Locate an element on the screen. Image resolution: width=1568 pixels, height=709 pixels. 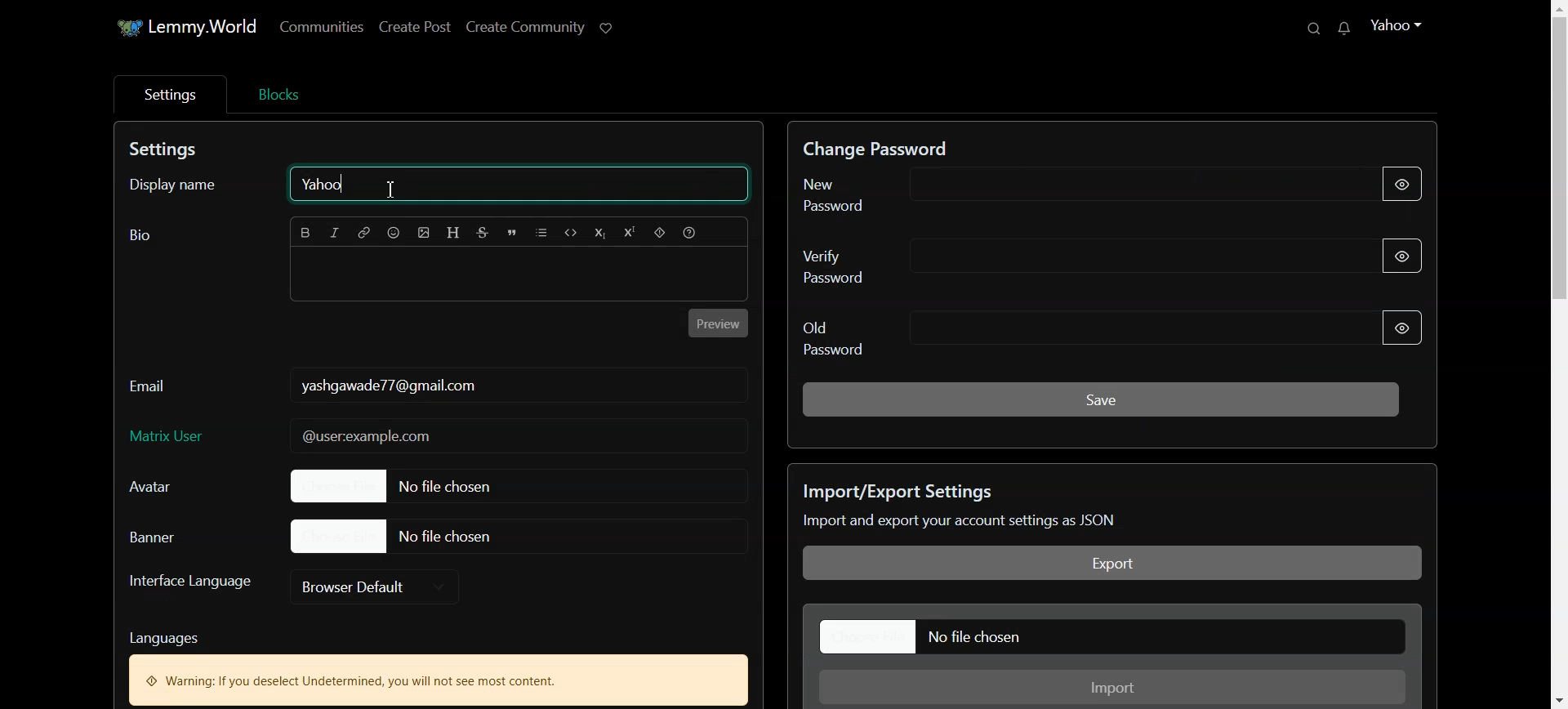
Browser default is located at coordinates (376, 586).